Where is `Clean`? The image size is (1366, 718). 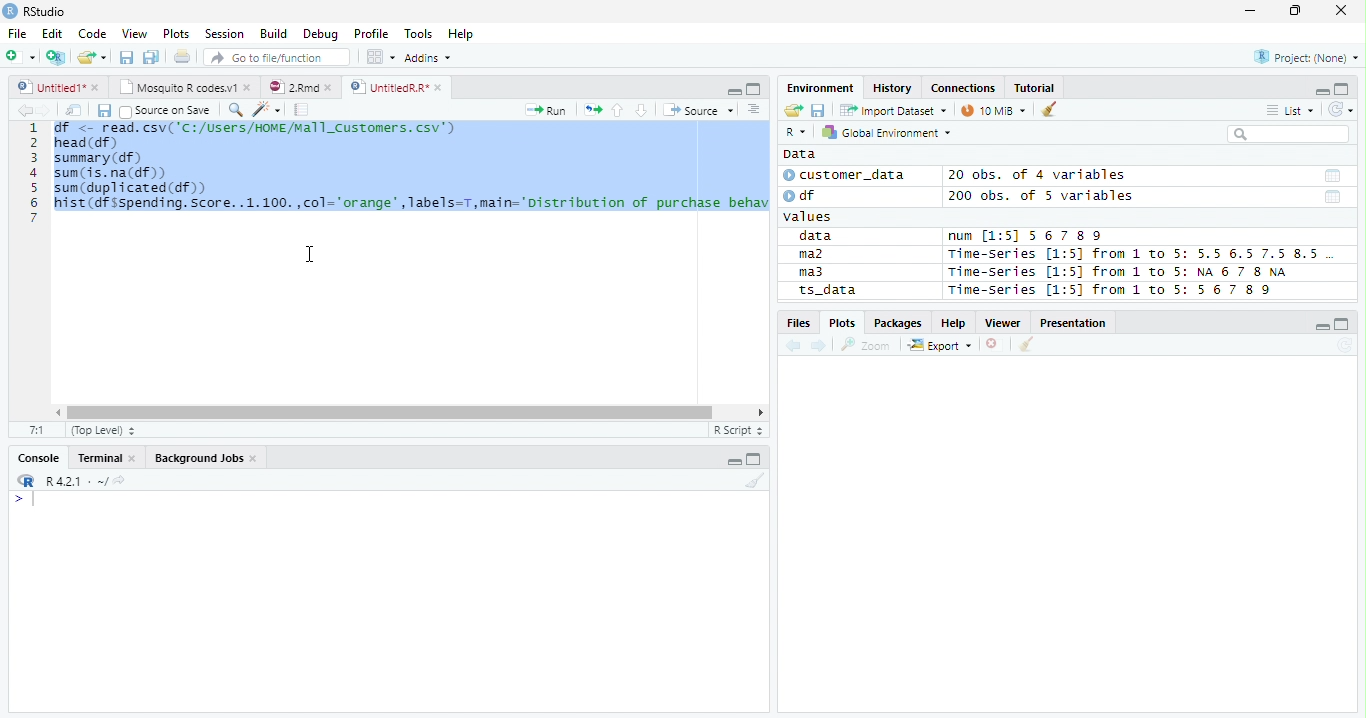
Clean is located at coordinates (1051, 108).